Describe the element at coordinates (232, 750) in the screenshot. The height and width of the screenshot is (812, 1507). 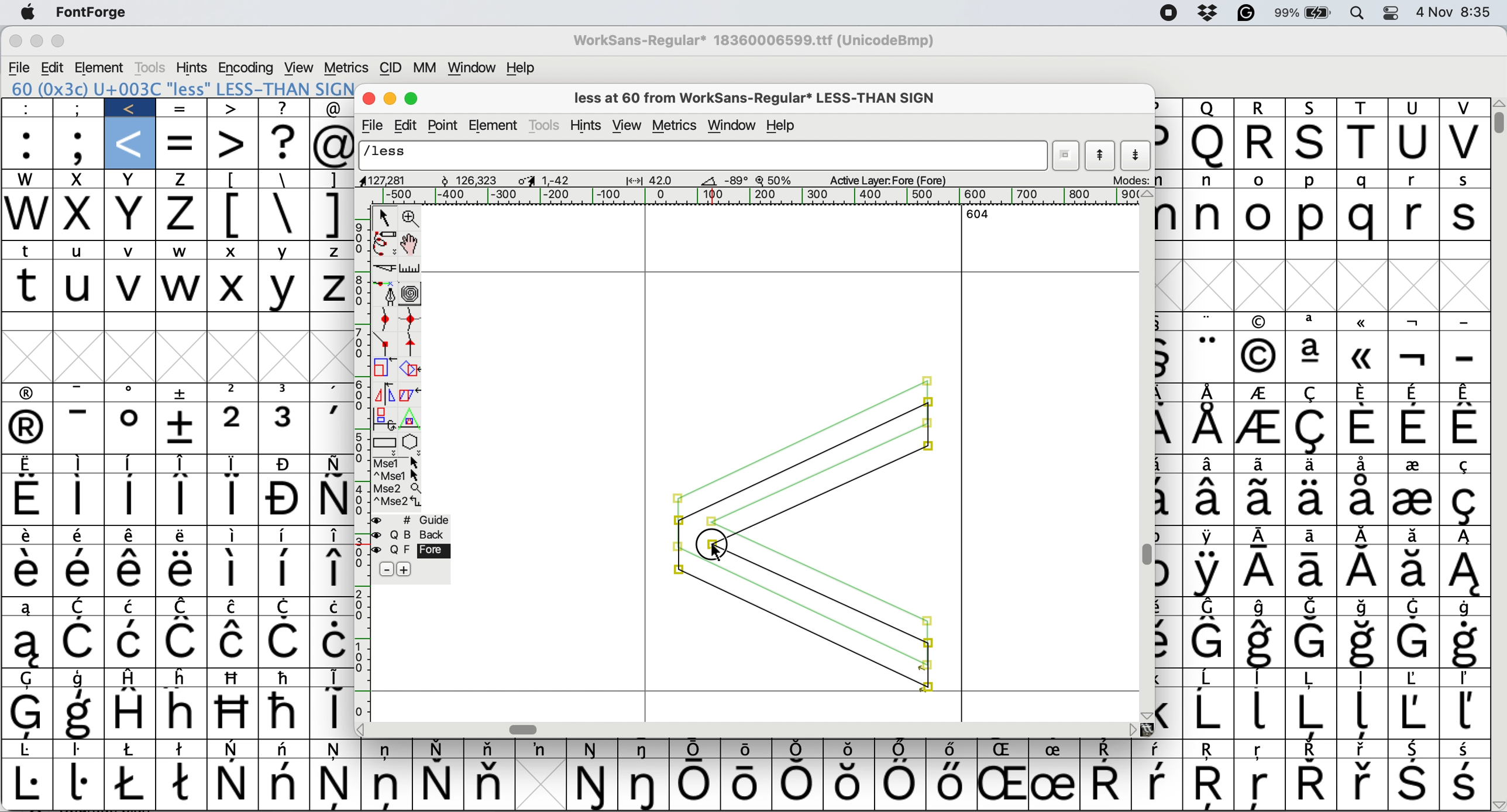
I see `Symbol` at that location.